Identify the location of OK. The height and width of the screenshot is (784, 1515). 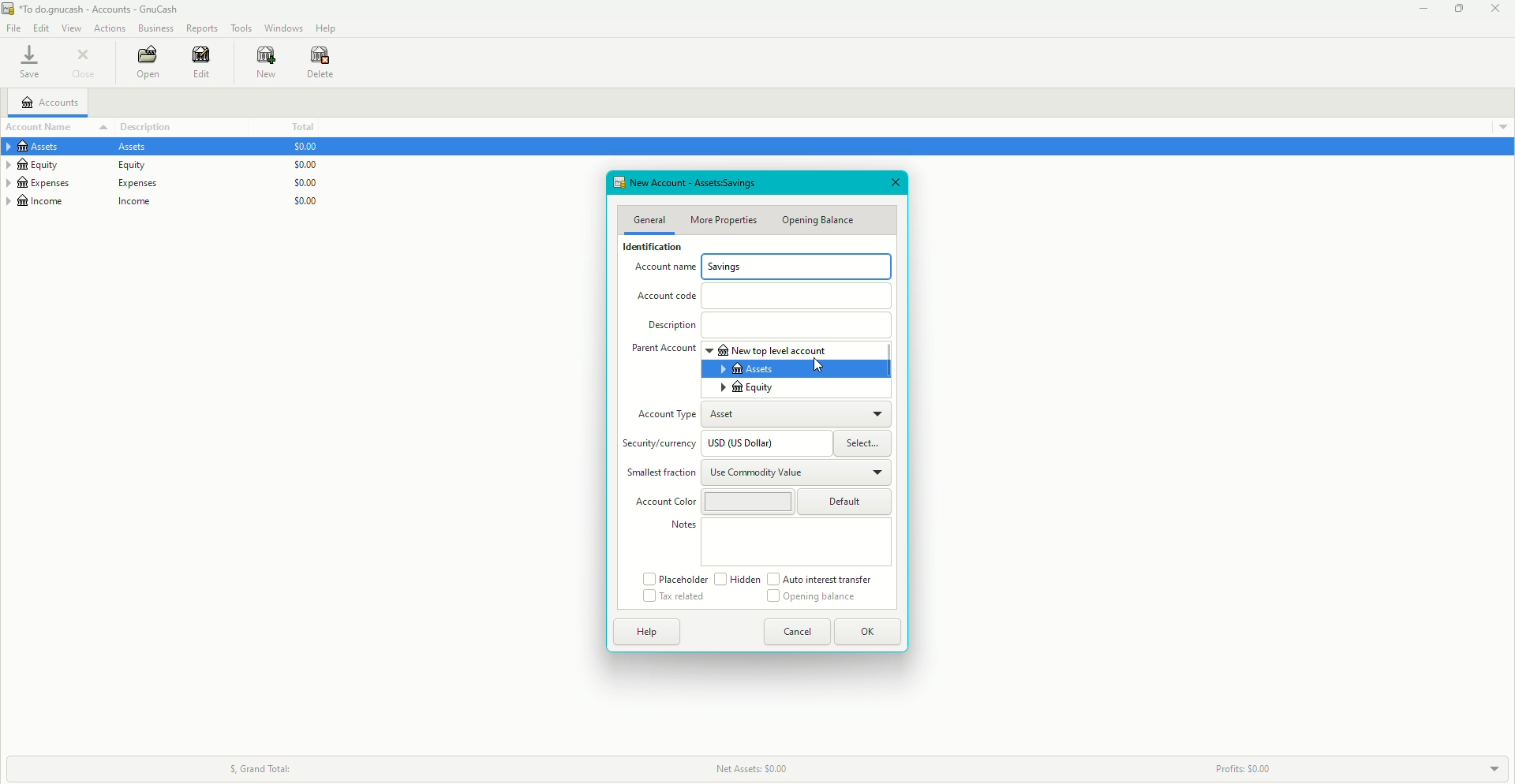
(870, 633).